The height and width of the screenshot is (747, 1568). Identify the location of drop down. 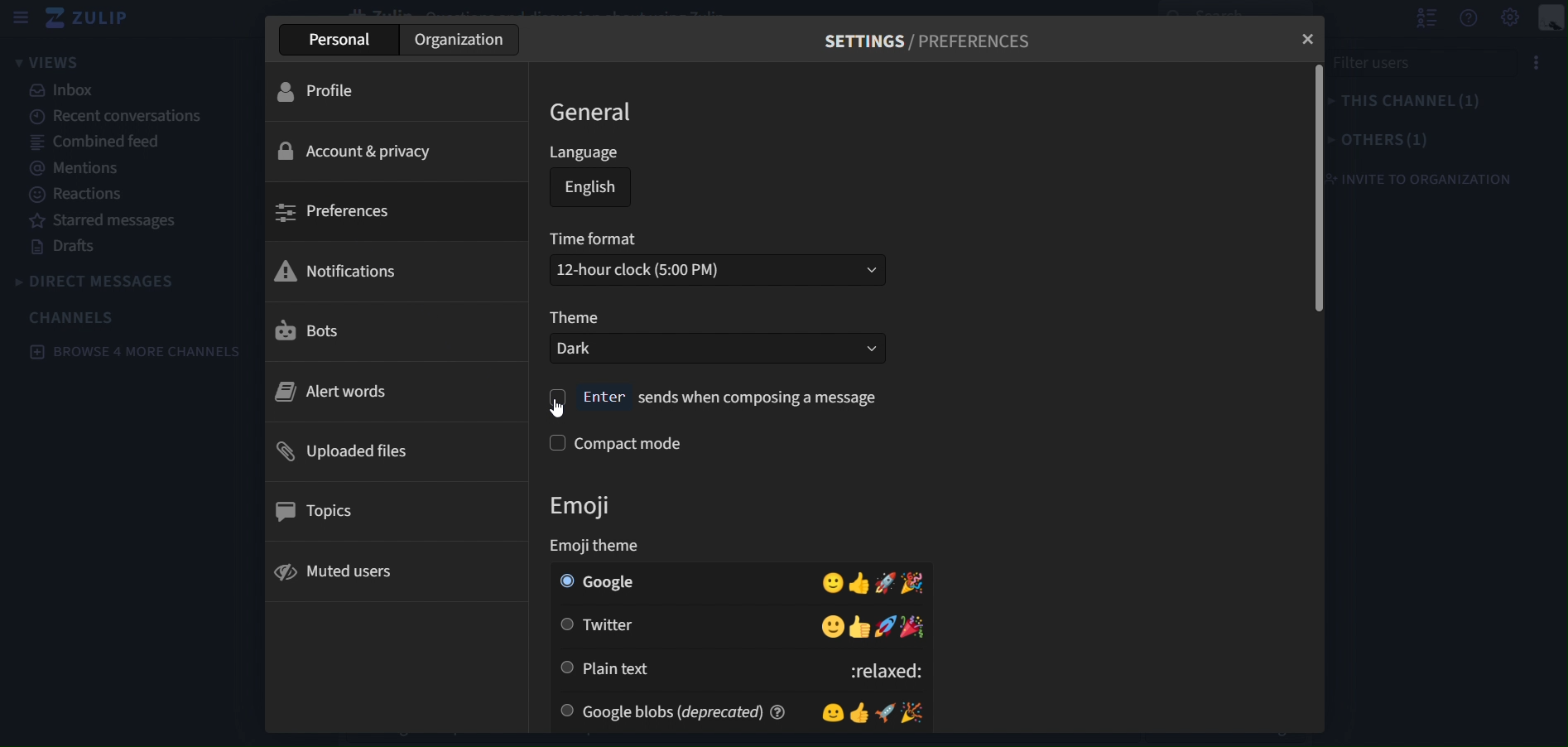
(856, 269).